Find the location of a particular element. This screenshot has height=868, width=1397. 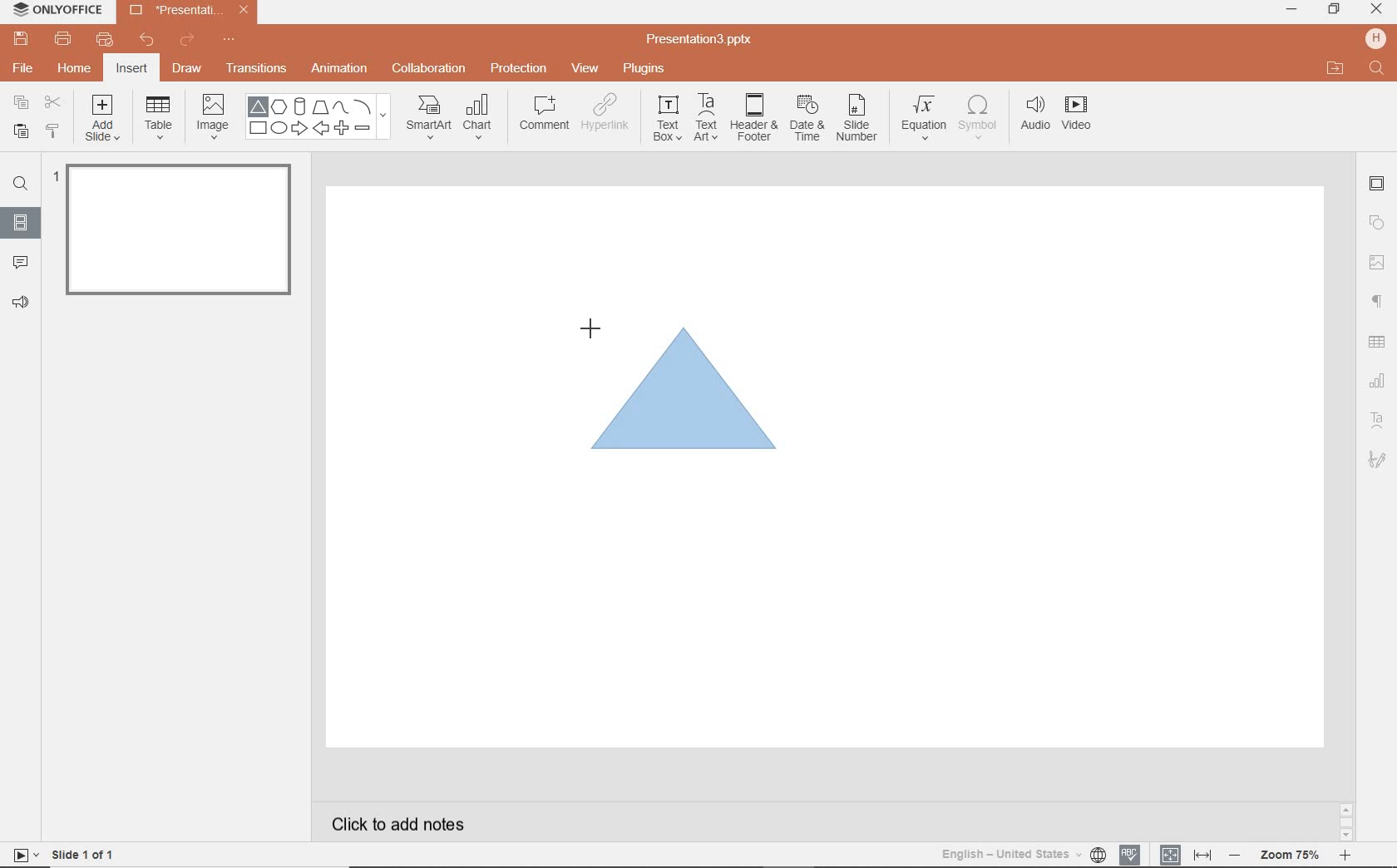

HEADER & FOOTER is located at coordinates (753, 117).